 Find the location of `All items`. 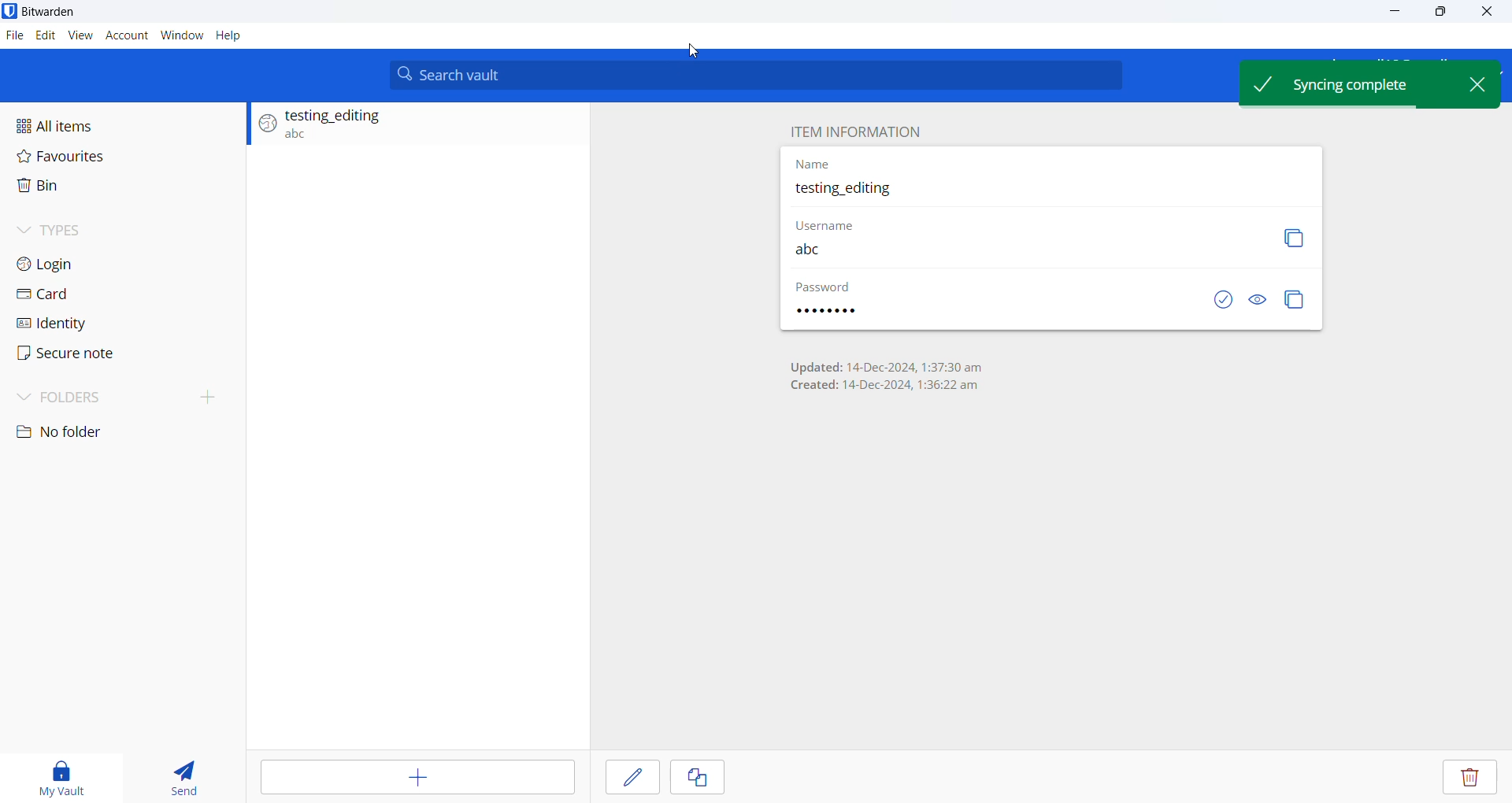

All items is located at coordinates (121, 121).